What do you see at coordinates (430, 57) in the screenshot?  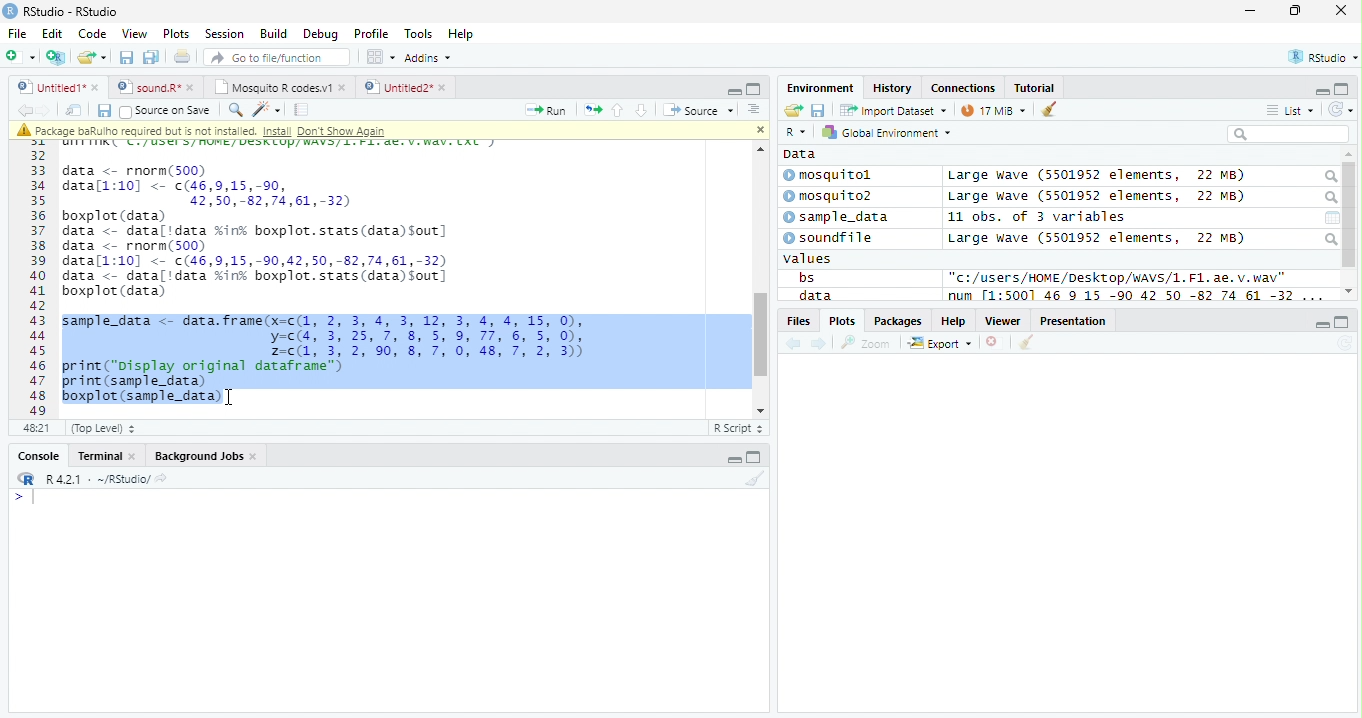 I see `Addins` at bounding box center [430, 57].